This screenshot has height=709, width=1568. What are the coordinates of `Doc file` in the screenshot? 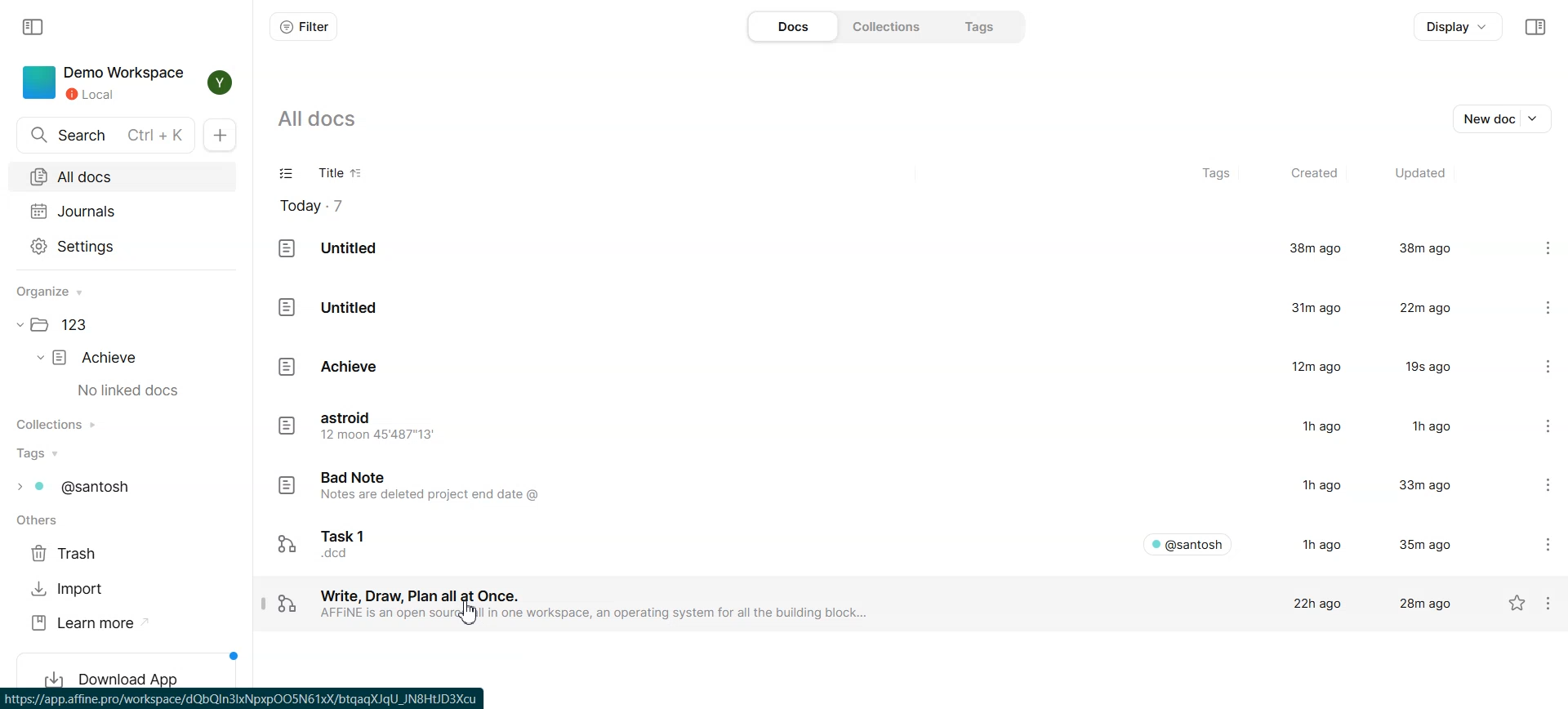 It's located at (878, 488).